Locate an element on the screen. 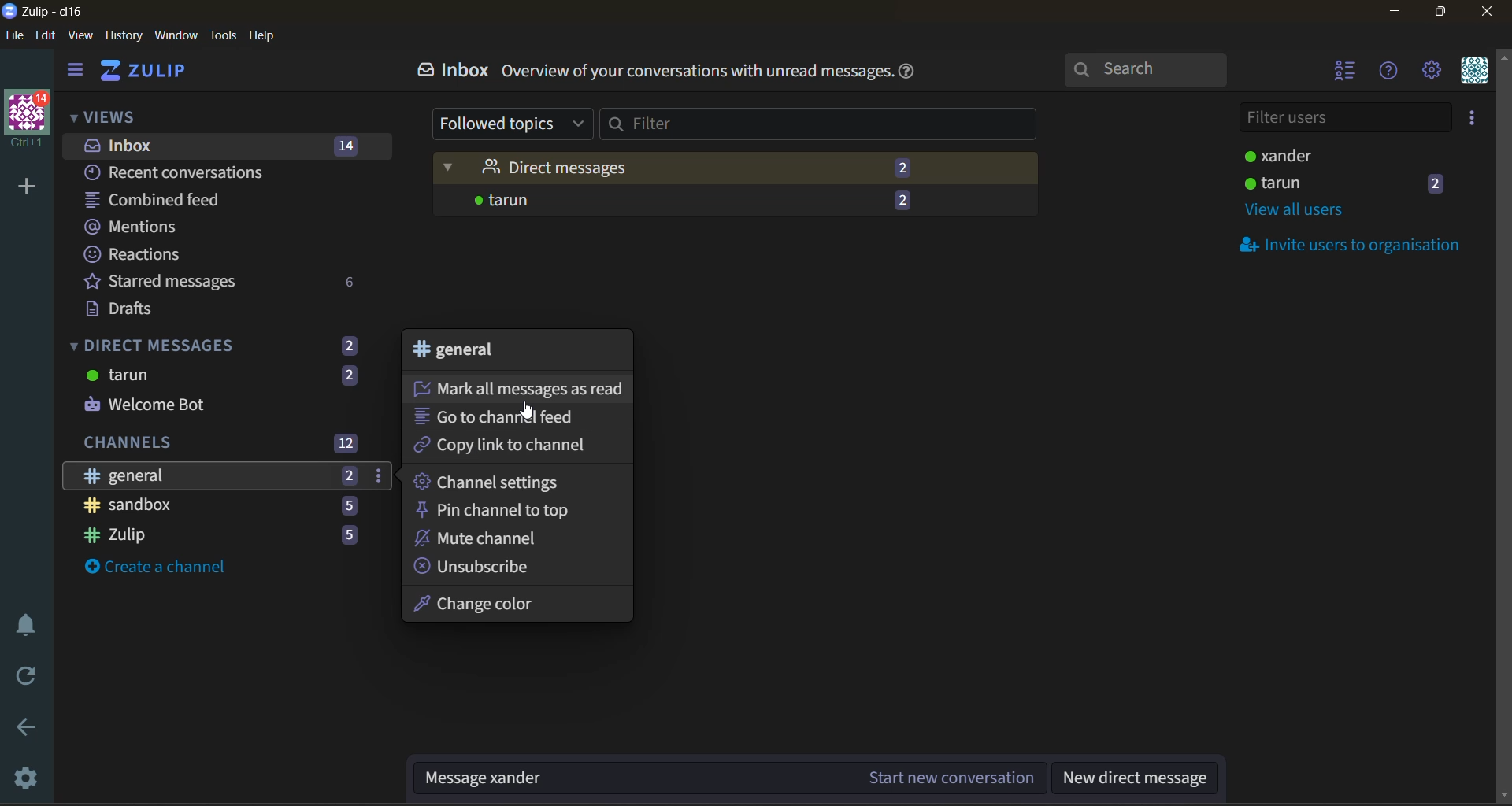 The width and height of the screenshot is (1512, 806). help is located at coordinates (911, 76).